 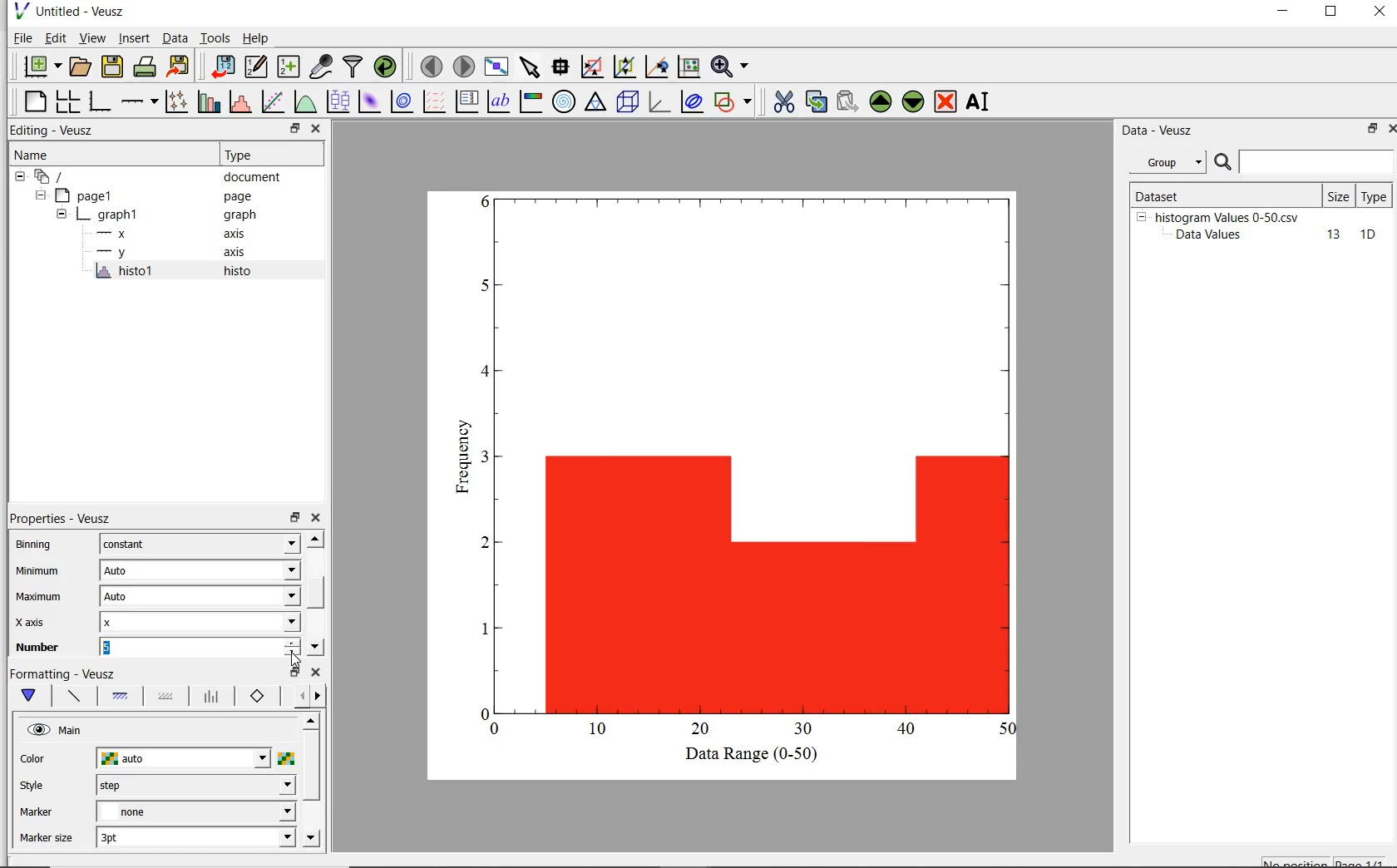 What do you see at coordinates (39, 195) in the screenshot?
I see `hide` at bounding box center [39, 195].